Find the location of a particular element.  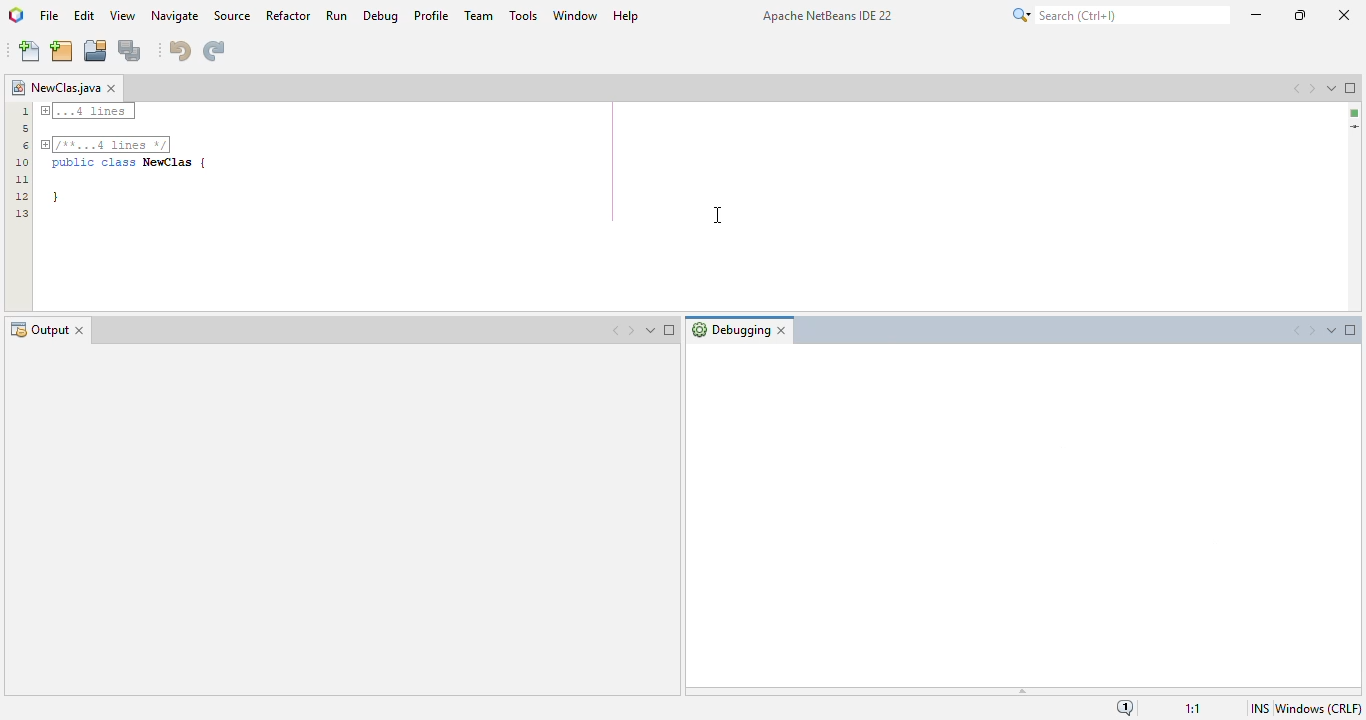

close window is located at coordinates (115, 88).